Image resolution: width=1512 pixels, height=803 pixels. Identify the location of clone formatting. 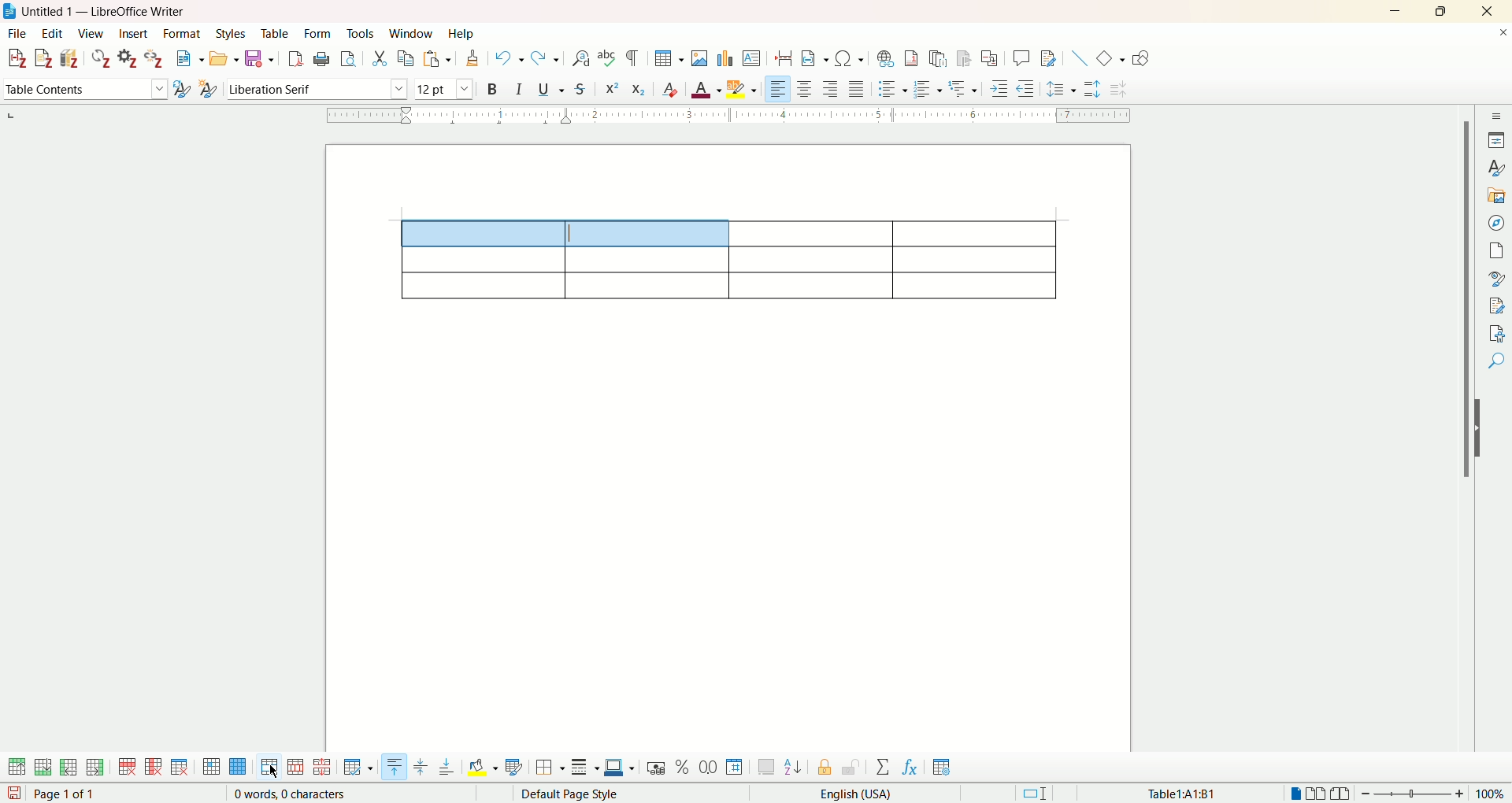
(469, 59).